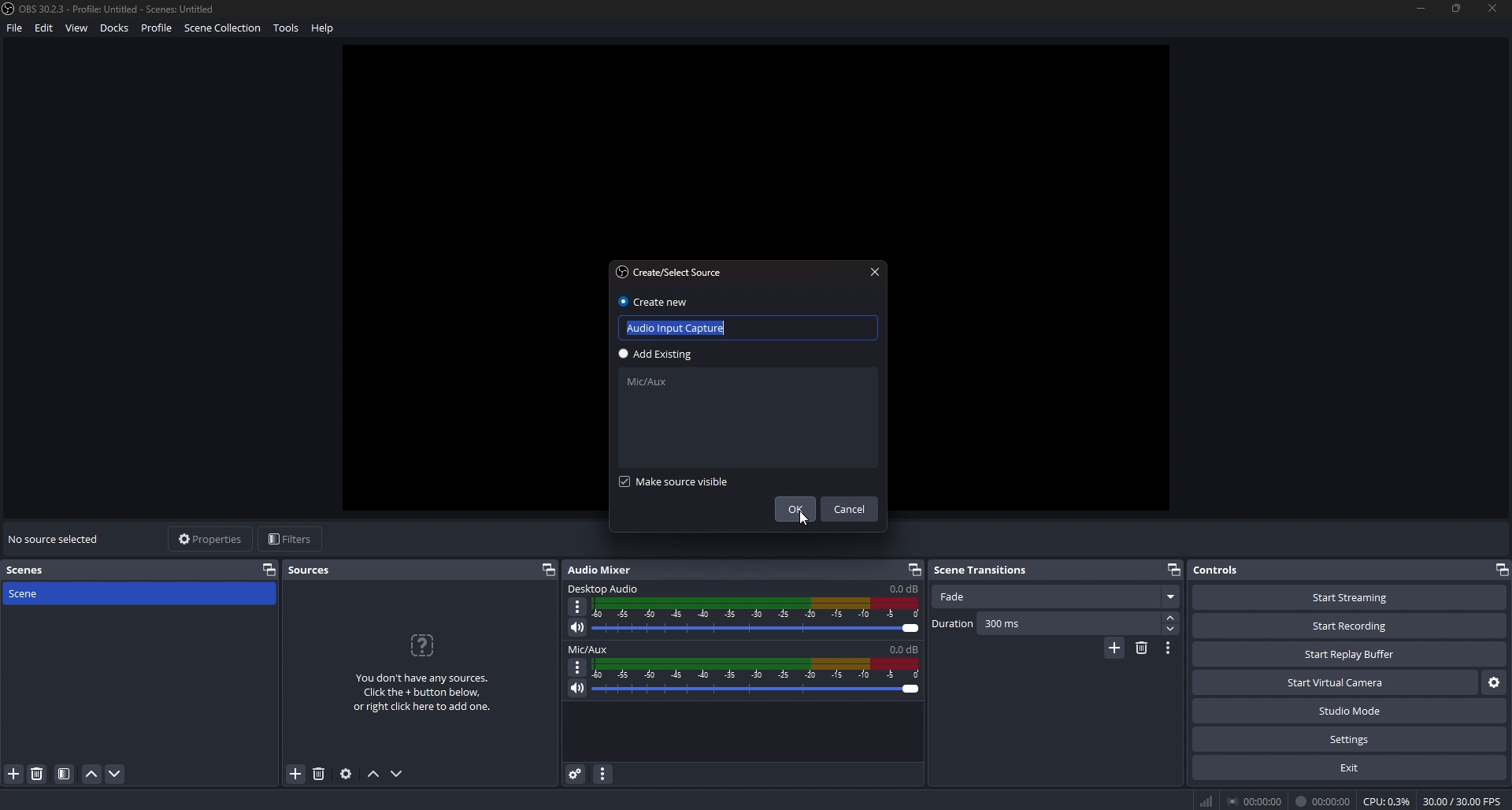  What do you see at coordinates (650, 381) in the screenshot?
I see `mic/aux` at bounding box center [650, 381].